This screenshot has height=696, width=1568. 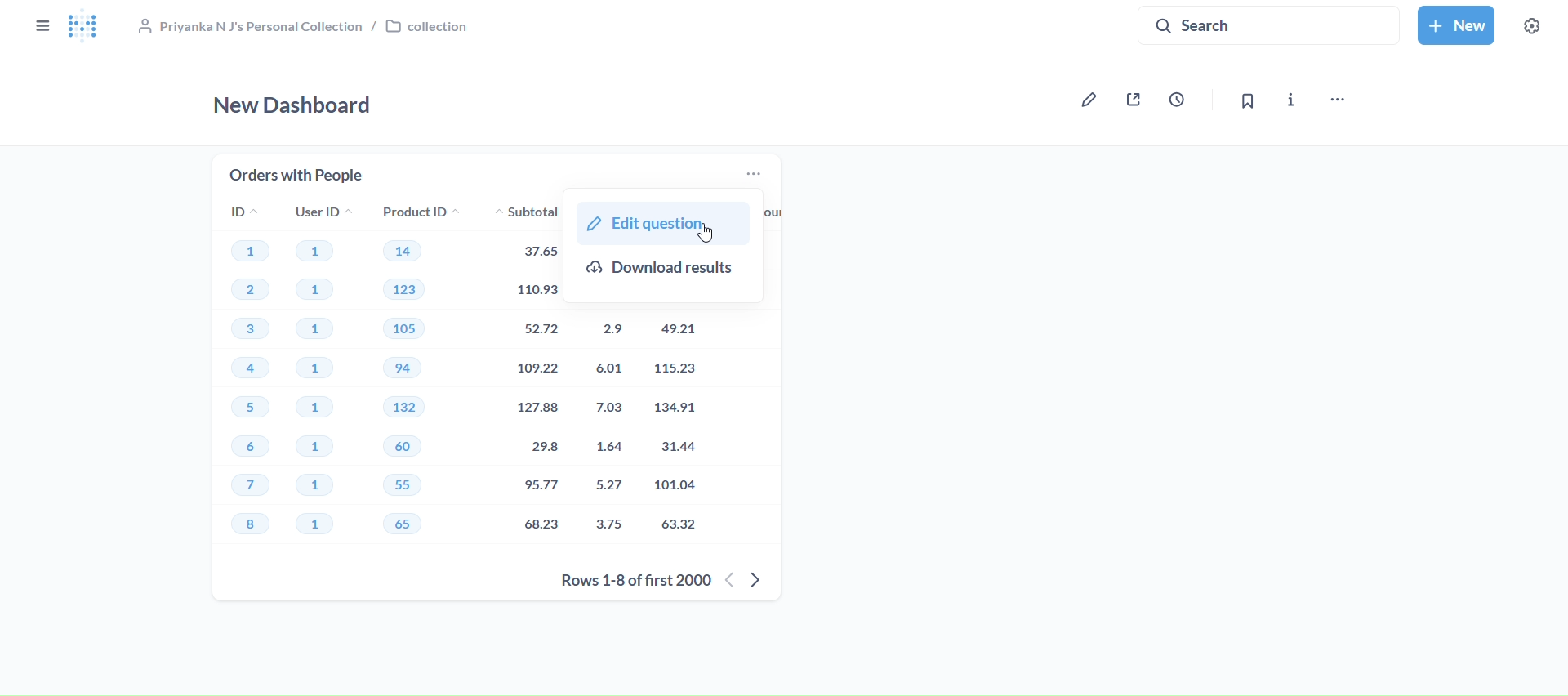 What do you see at coordinates (419, 378) in the screenshot?
I see `product ID's` at bounding box center [419, 378].